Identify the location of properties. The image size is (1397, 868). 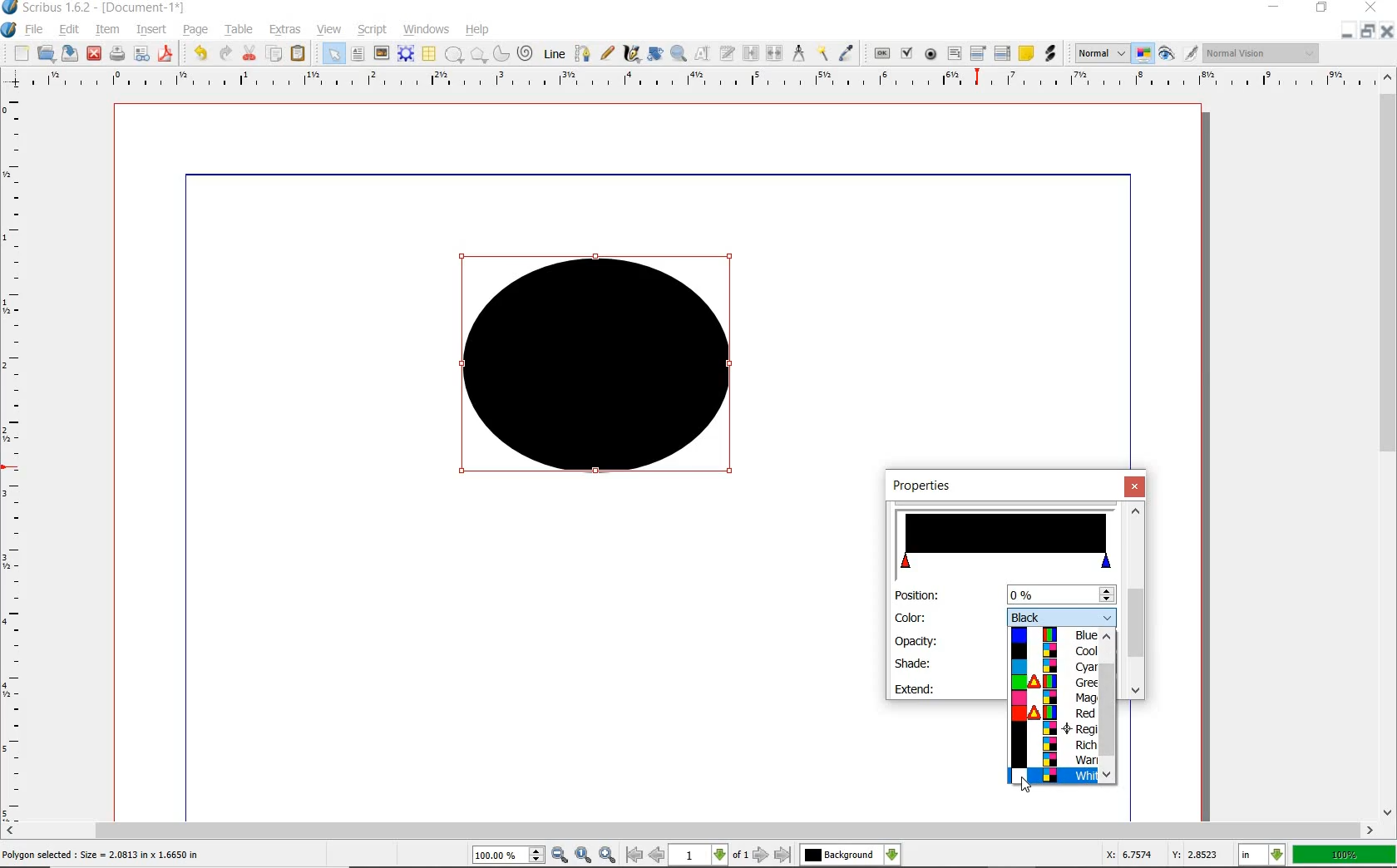
(938, 486).